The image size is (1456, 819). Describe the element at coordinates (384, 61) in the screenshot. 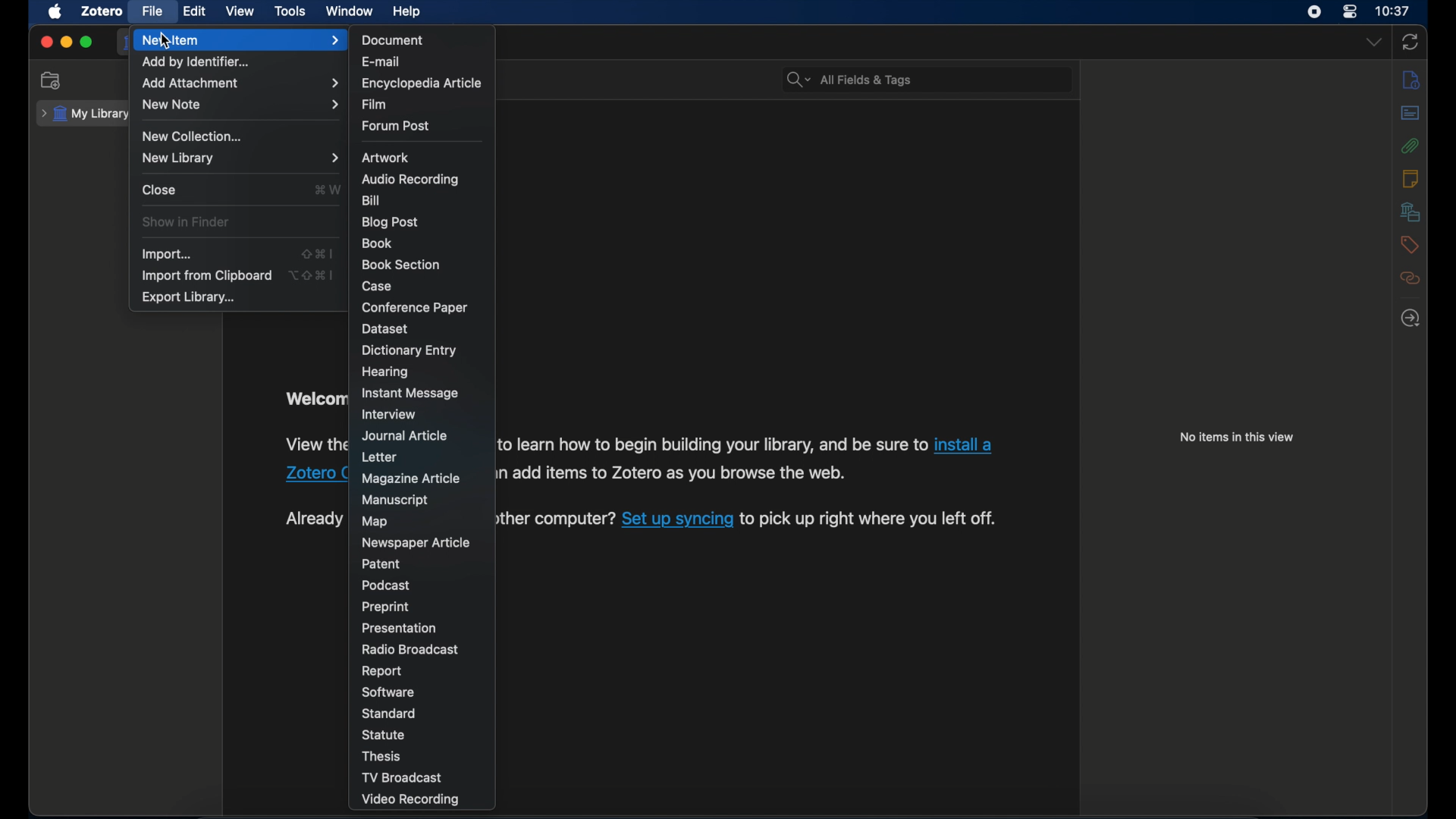

I see `e-mail` at that location.